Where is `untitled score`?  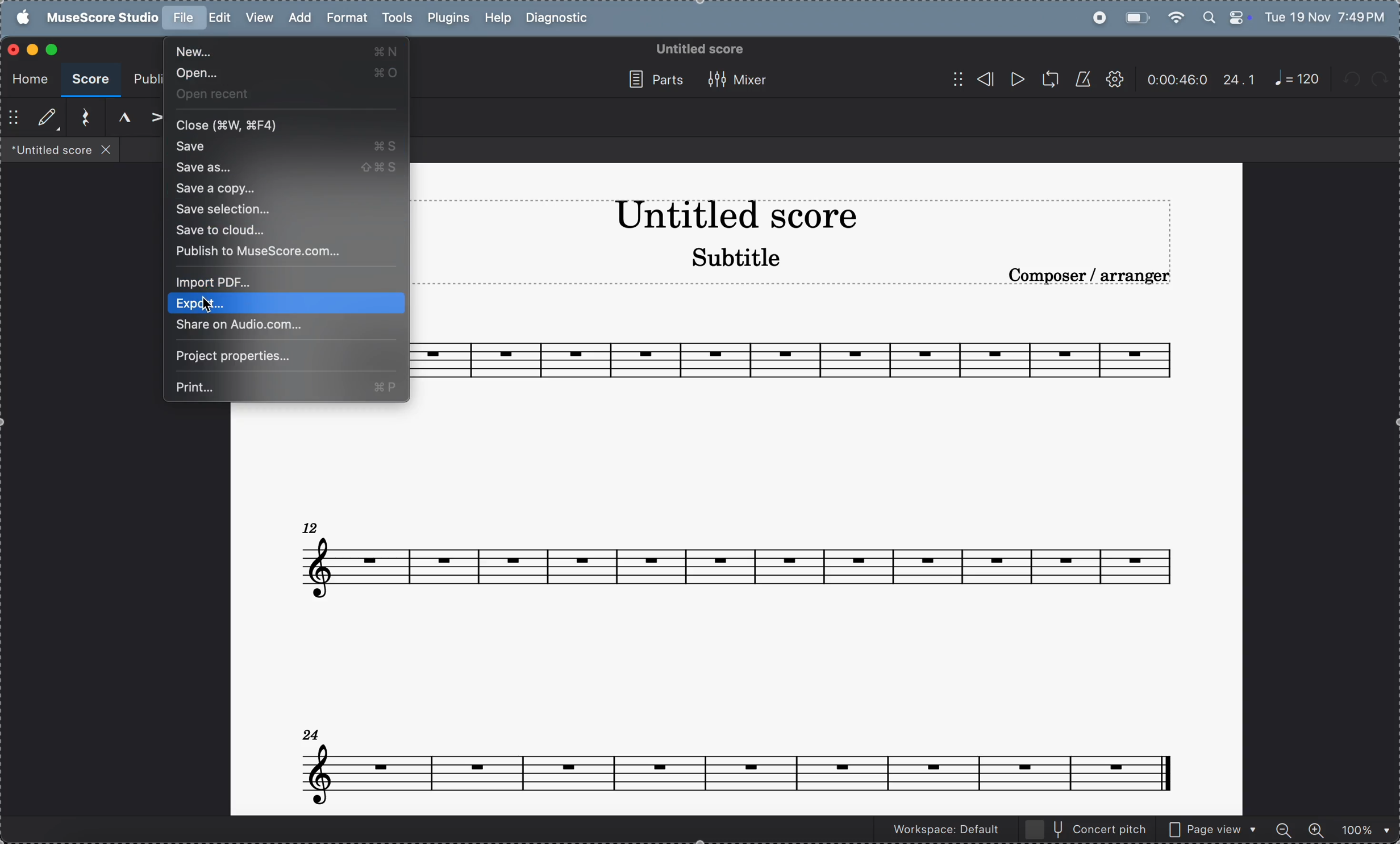 untitled score is located at coordinates (698, 49).